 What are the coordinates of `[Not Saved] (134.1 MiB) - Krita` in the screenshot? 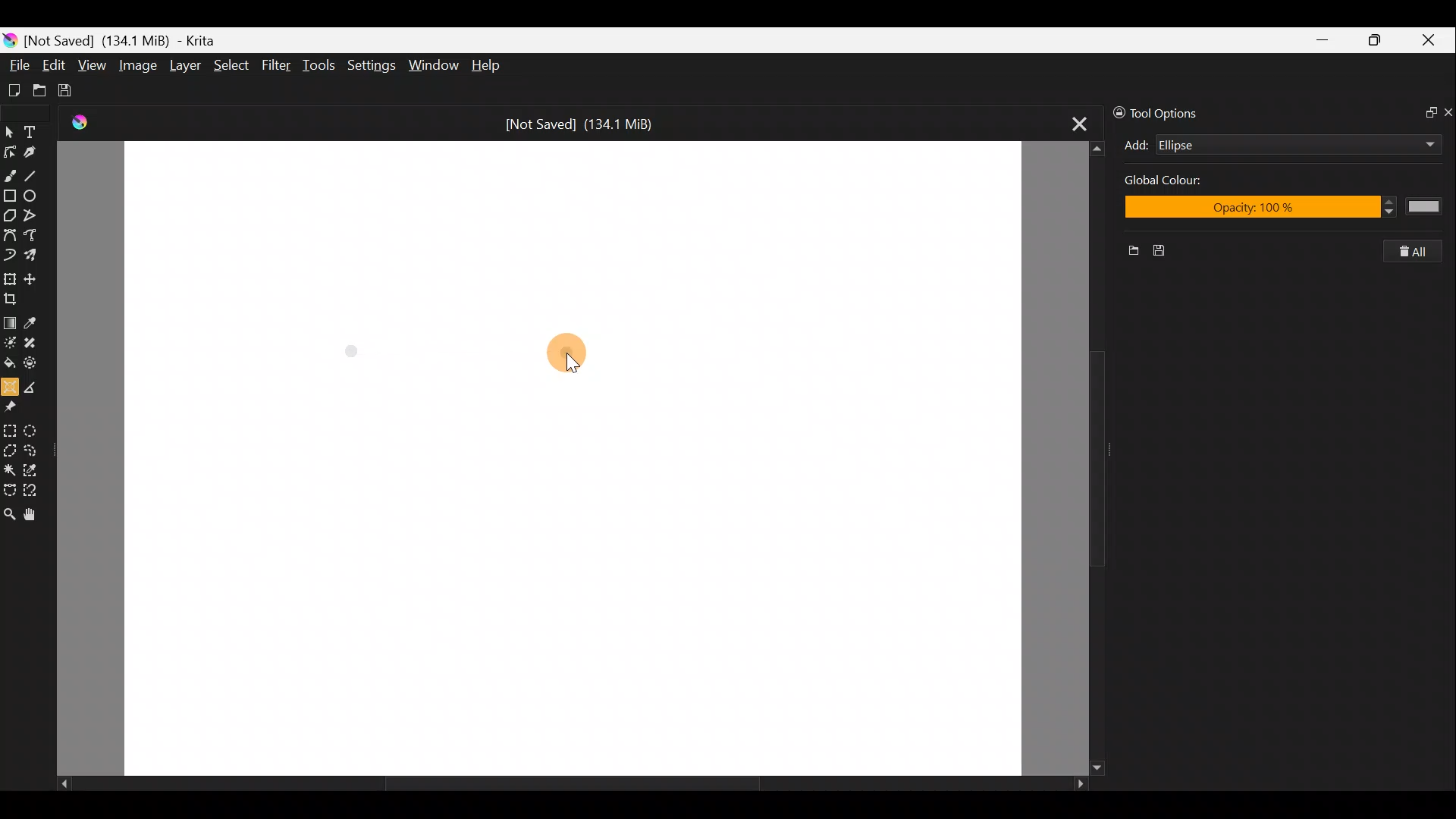 It's located at (132, 41).